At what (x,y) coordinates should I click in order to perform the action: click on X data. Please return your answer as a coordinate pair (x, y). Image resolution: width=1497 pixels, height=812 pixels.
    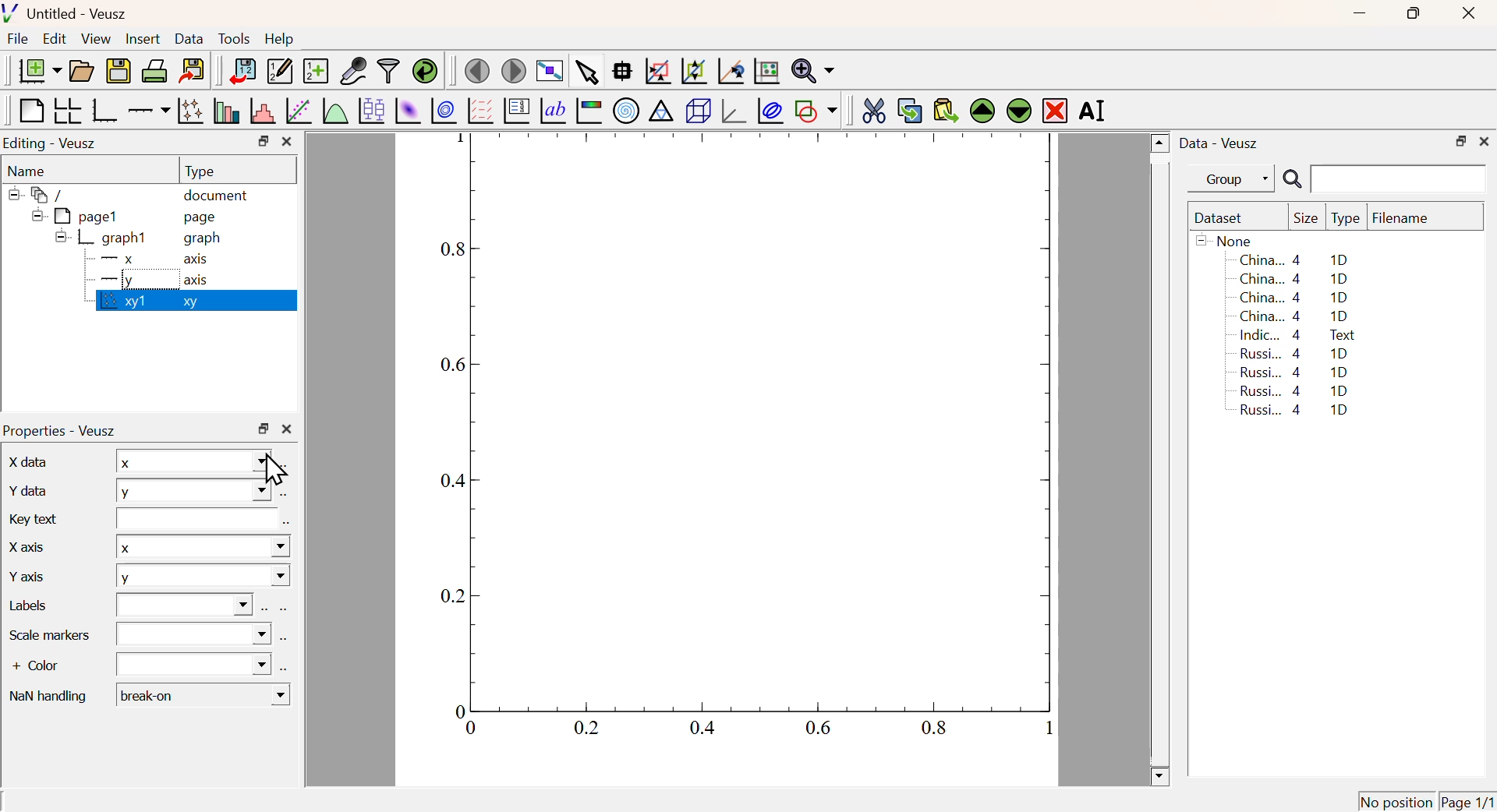
    Looking at the image, I should click on (27, 460).